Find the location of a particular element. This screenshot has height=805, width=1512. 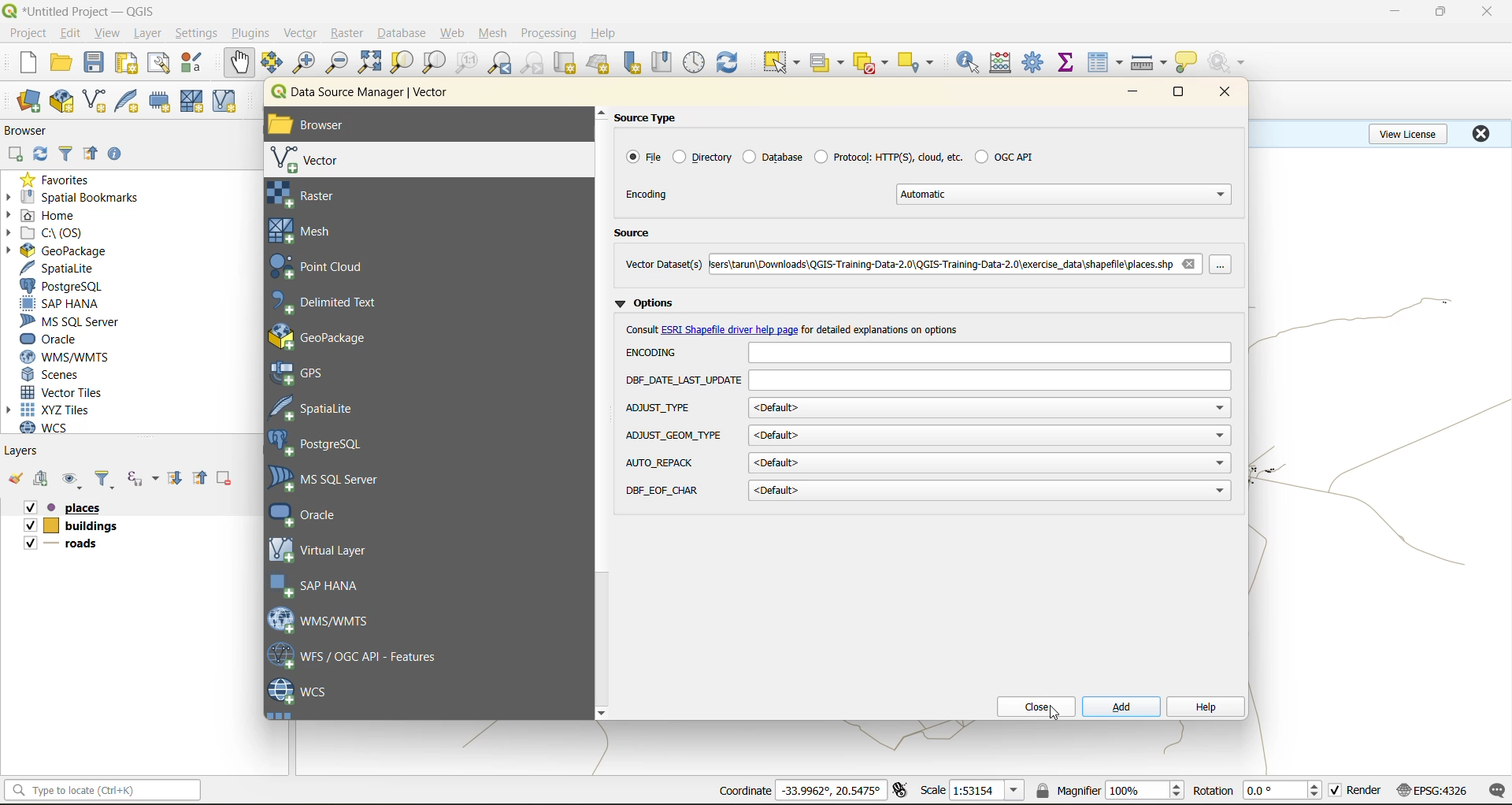

calculator is located at coordinates (1006, 65).